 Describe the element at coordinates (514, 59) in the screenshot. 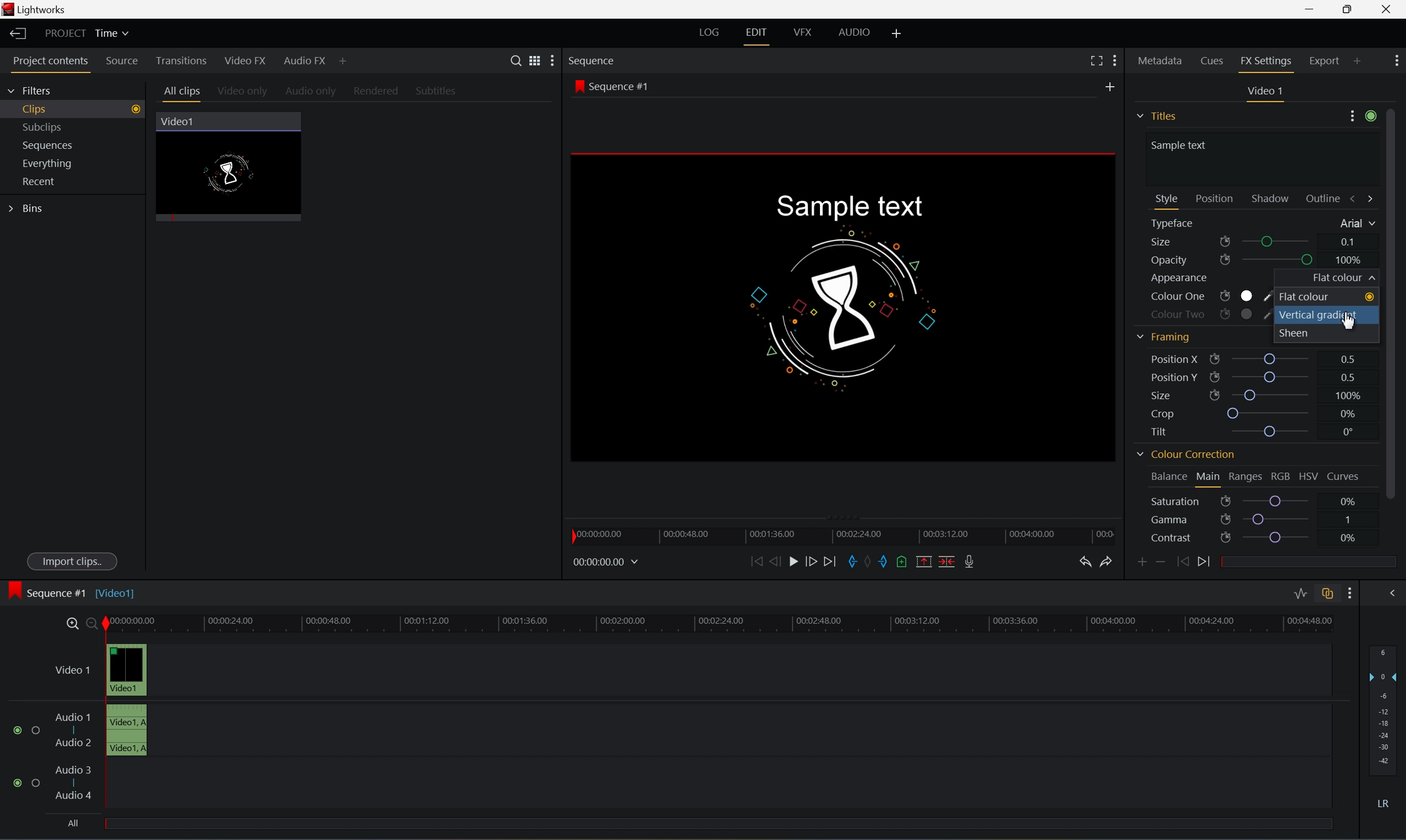

I see `Find` at that location.